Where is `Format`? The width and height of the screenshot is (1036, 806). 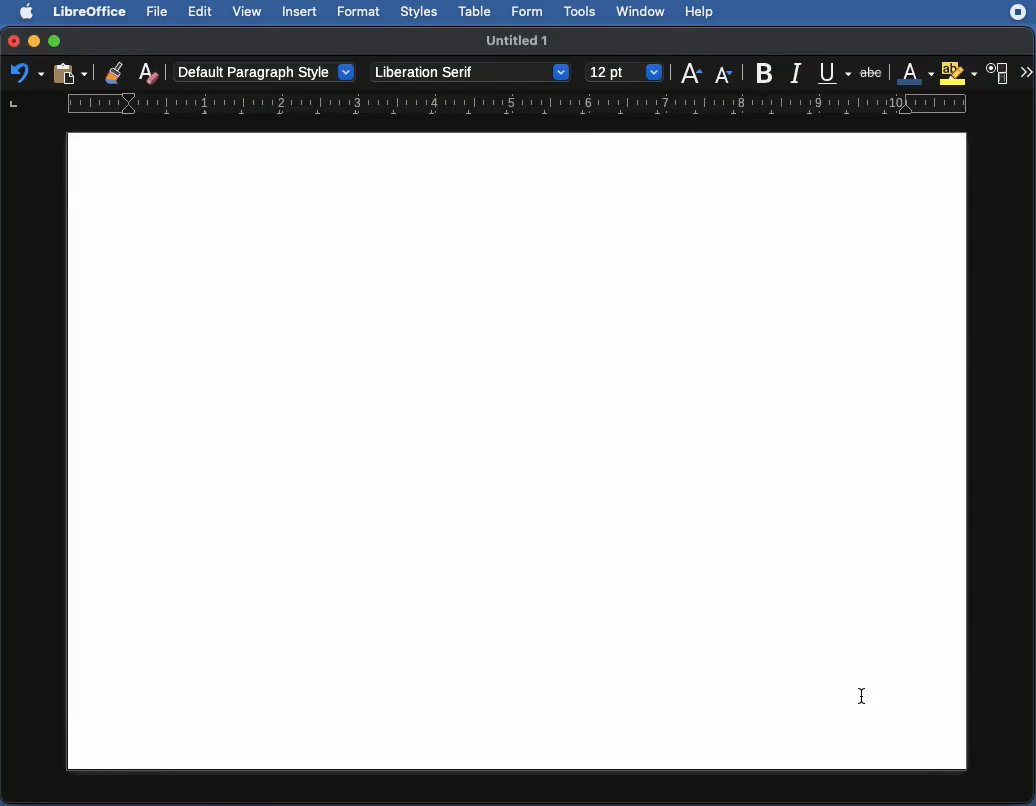
Format is located at coordinates (361, 13).